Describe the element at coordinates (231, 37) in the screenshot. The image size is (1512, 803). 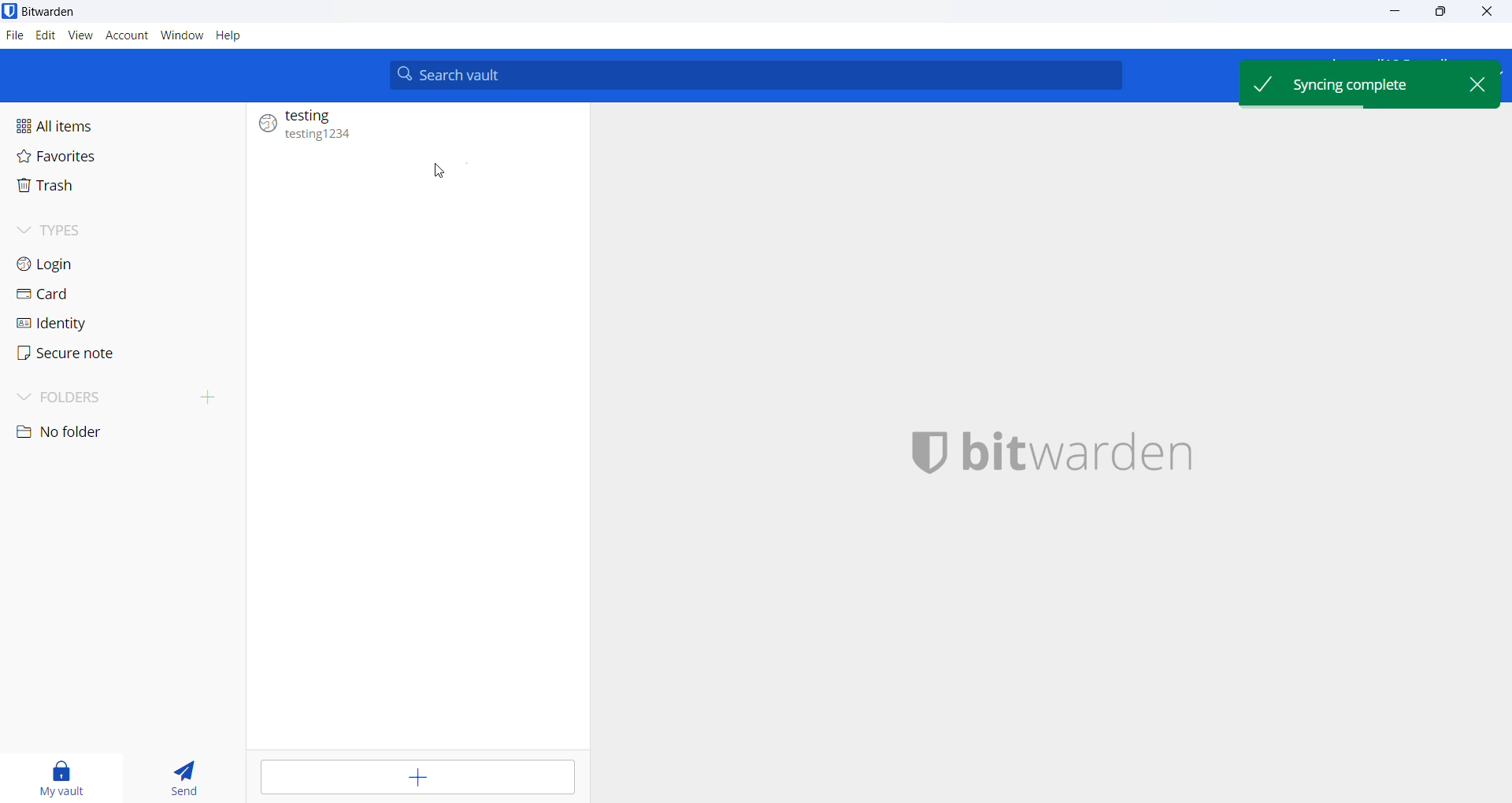
I see `Help` at that location.